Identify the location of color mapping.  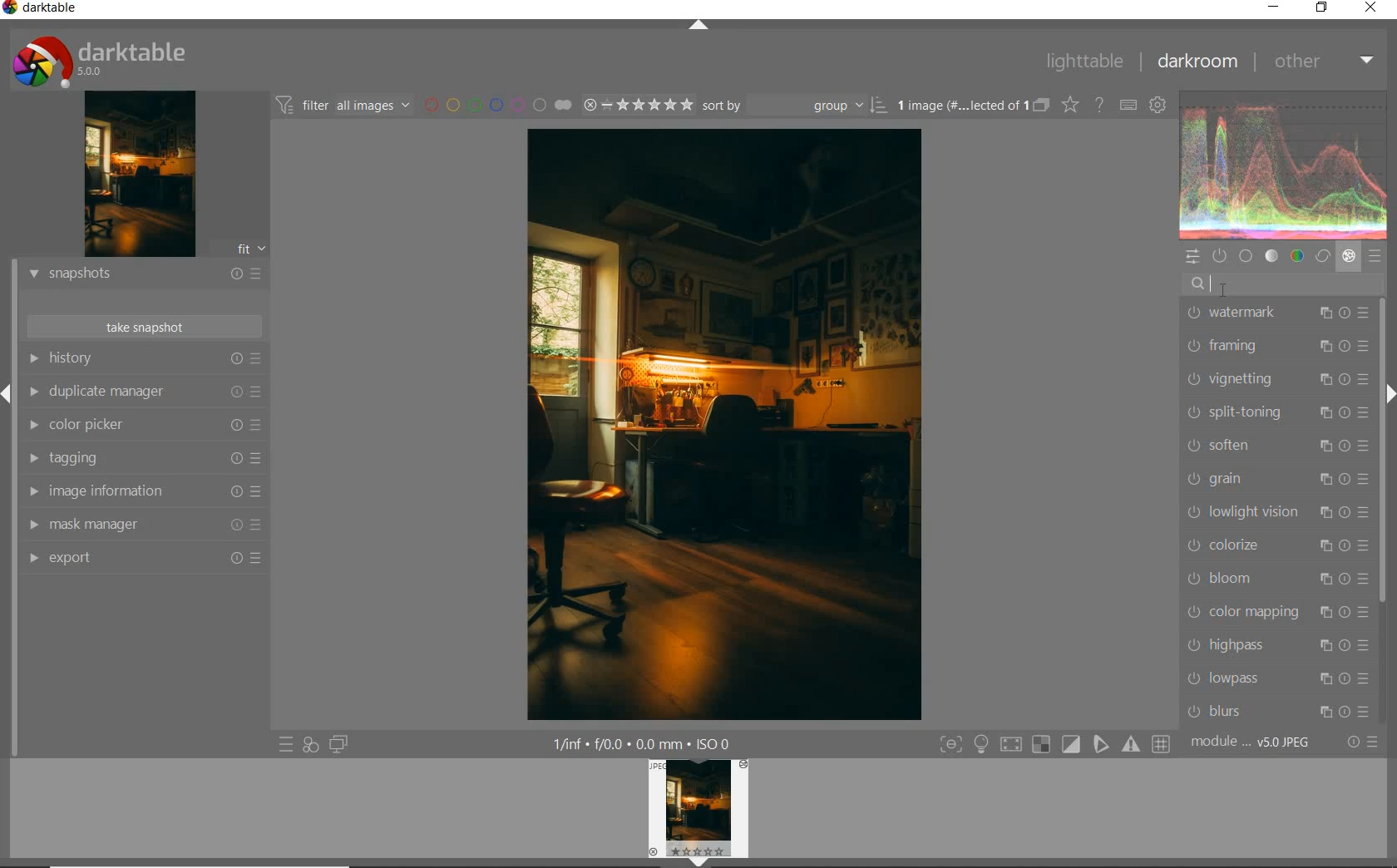
(1275, 611).